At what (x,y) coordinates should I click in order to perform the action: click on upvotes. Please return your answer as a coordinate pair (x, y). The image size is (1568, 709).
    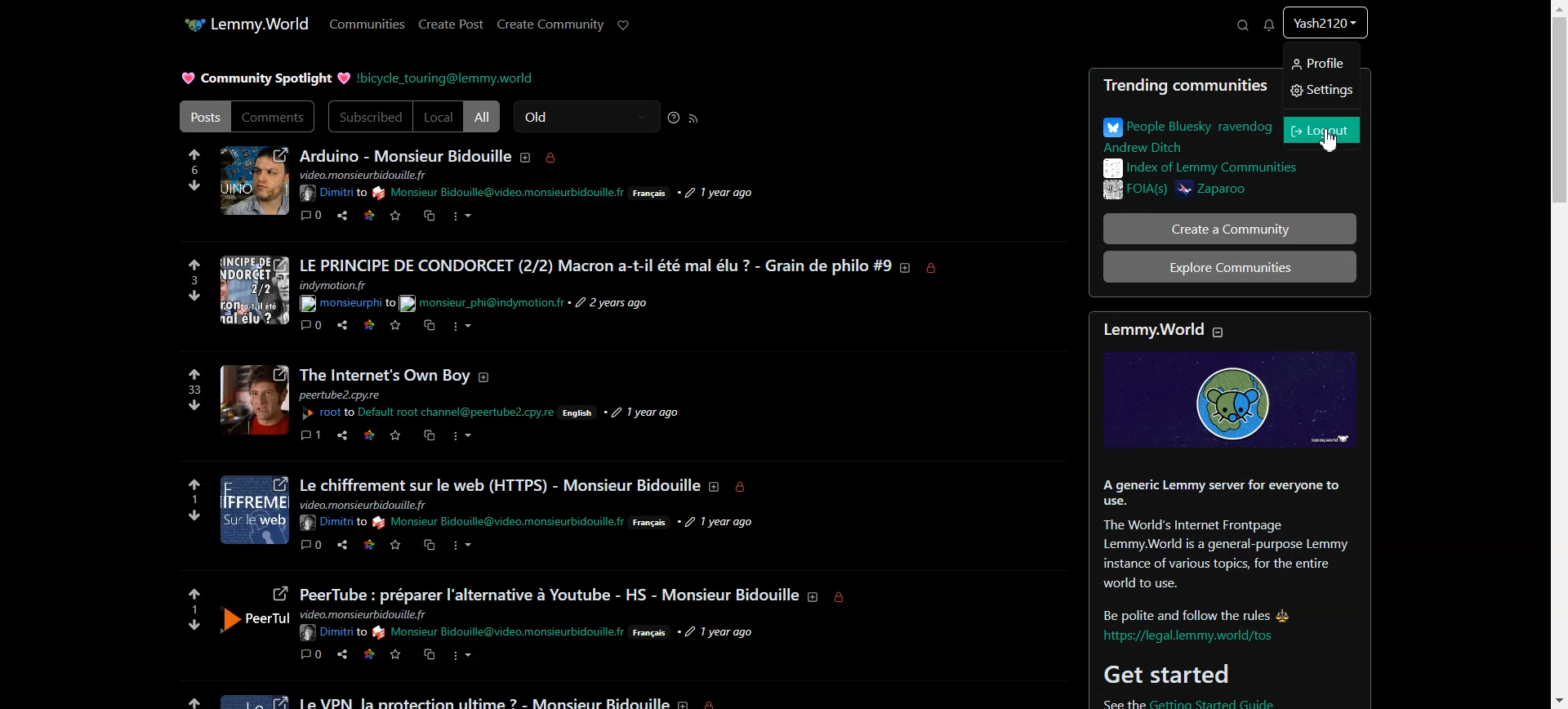
    Looking at the image, I should click on (188, 263).